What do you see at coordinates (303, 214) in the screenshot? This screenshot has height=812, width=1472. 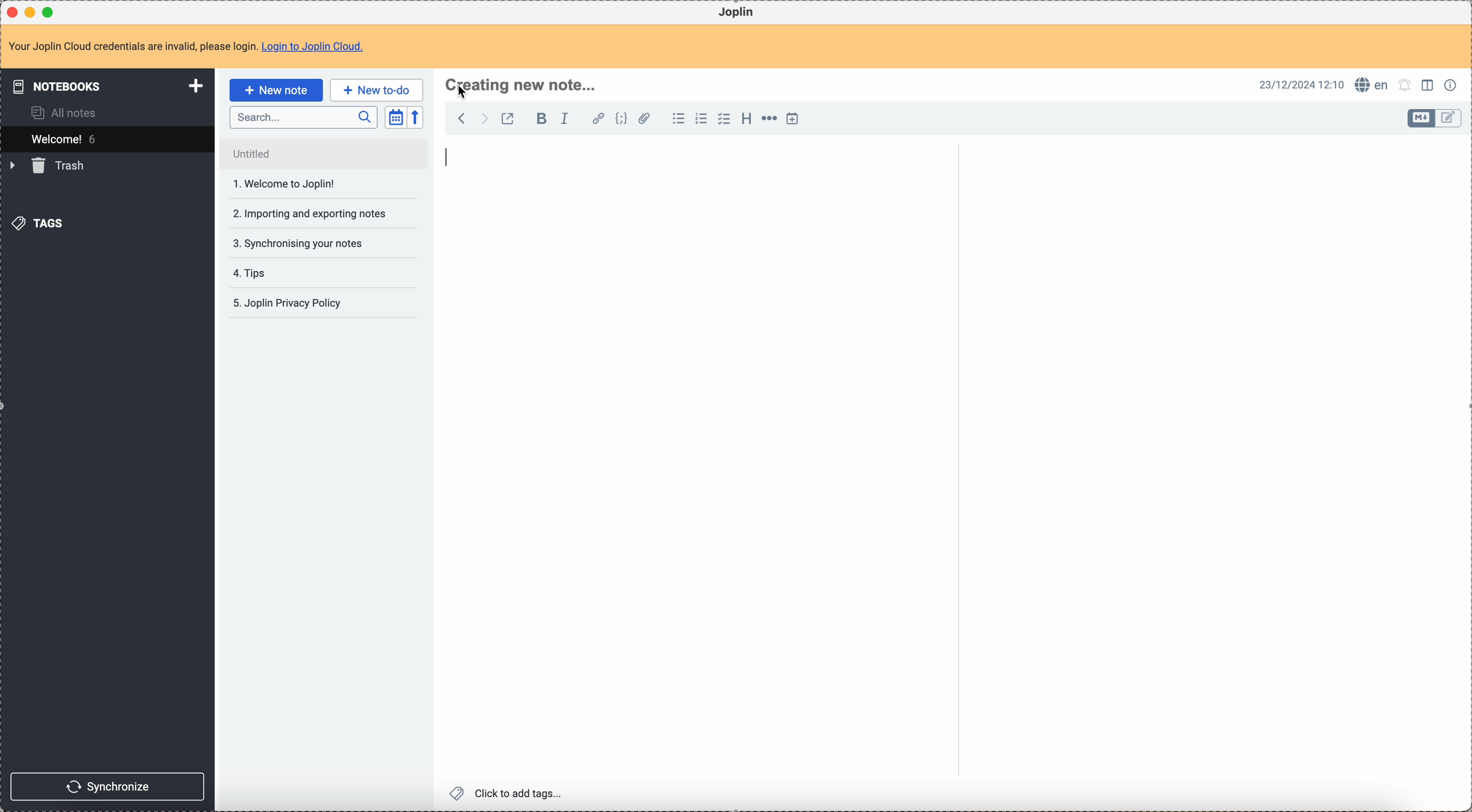 I see `synchronising your notes` at bounding box center [303, 214].